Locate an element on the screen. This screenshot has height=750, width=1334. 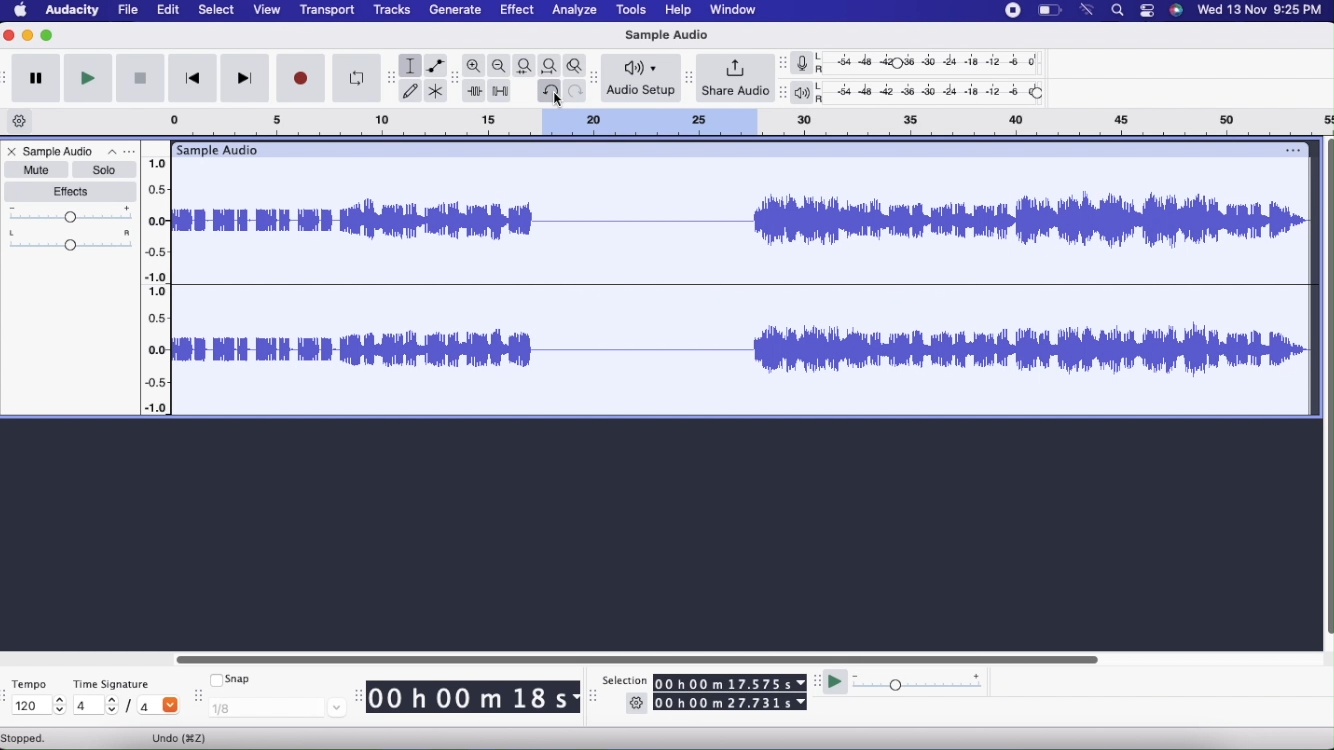
move toolbar is located at coordinates (8, 695).